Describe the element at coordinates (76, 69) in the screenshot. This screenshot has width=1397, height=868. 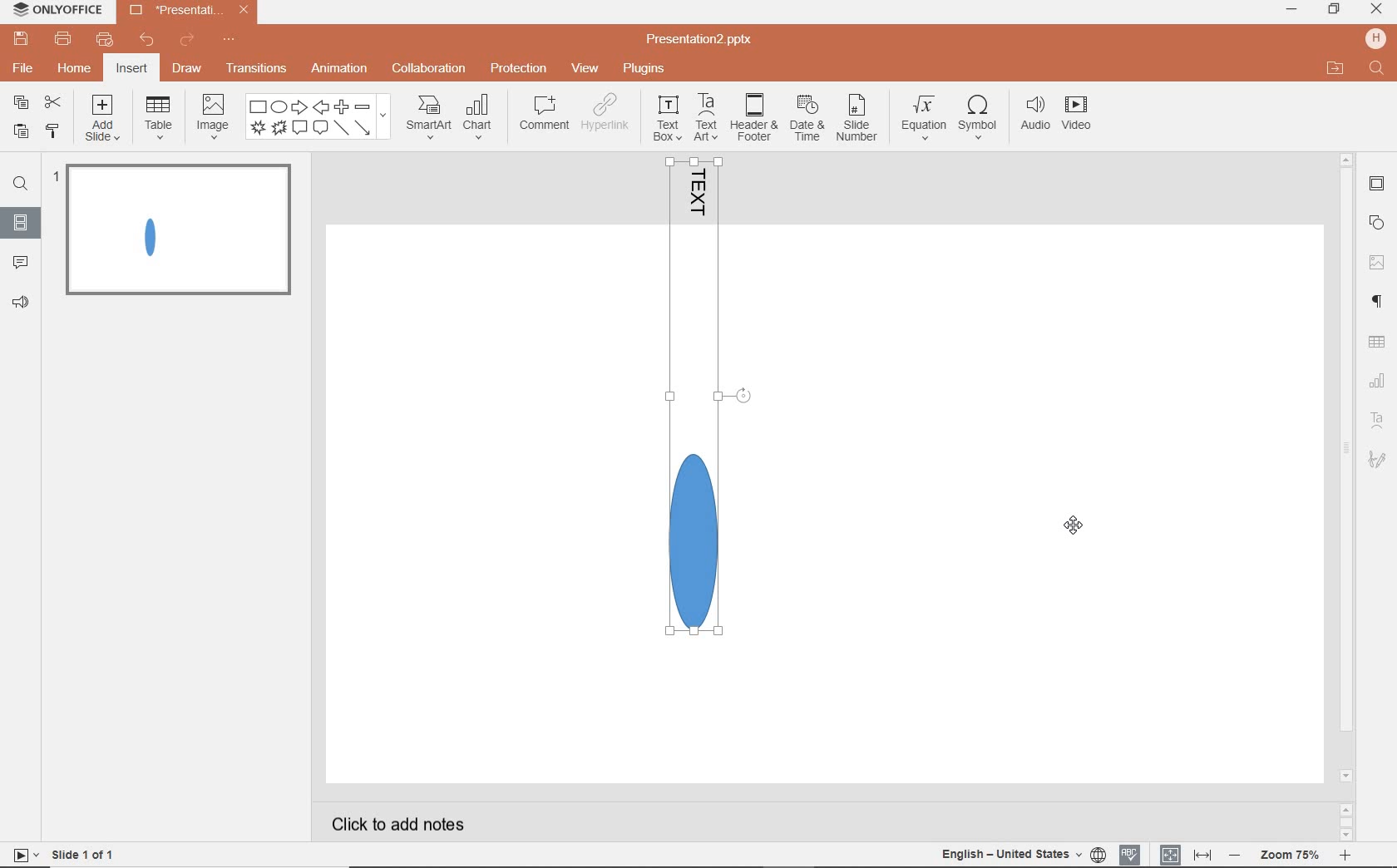
I see `home` at that location.